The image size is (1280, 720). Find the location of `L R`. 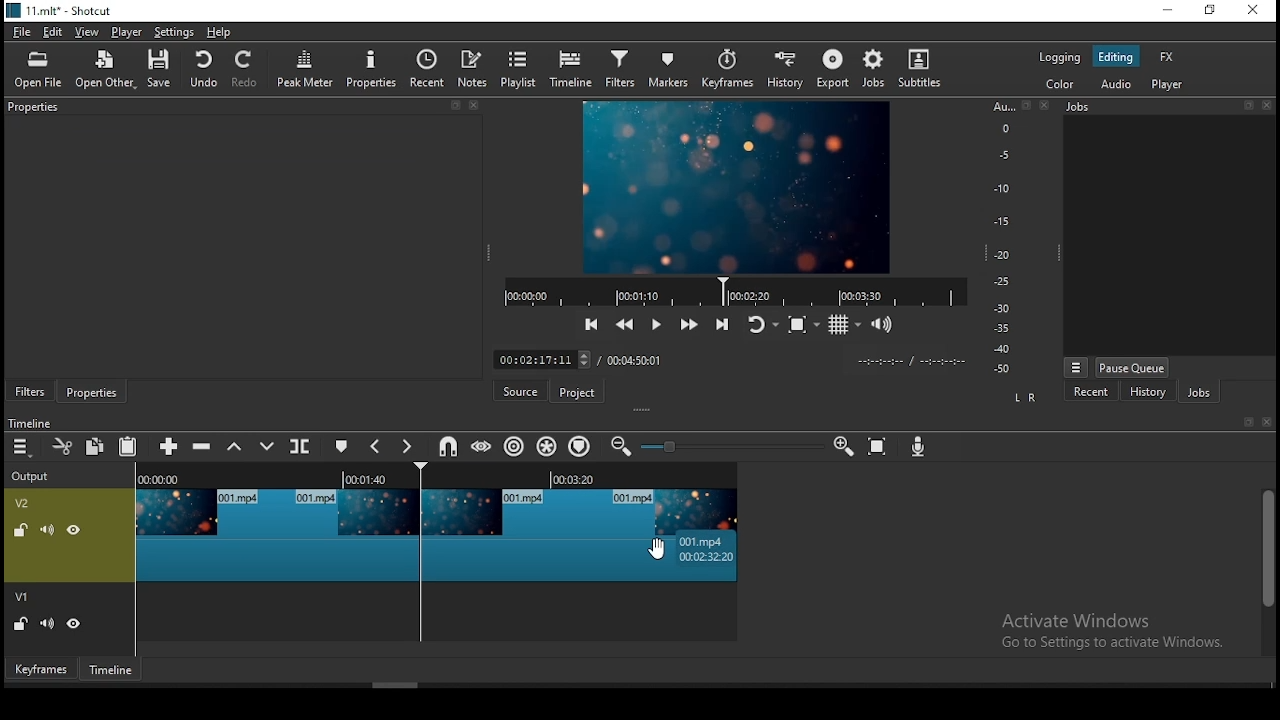

L R is located at coordinates (1024, 399).